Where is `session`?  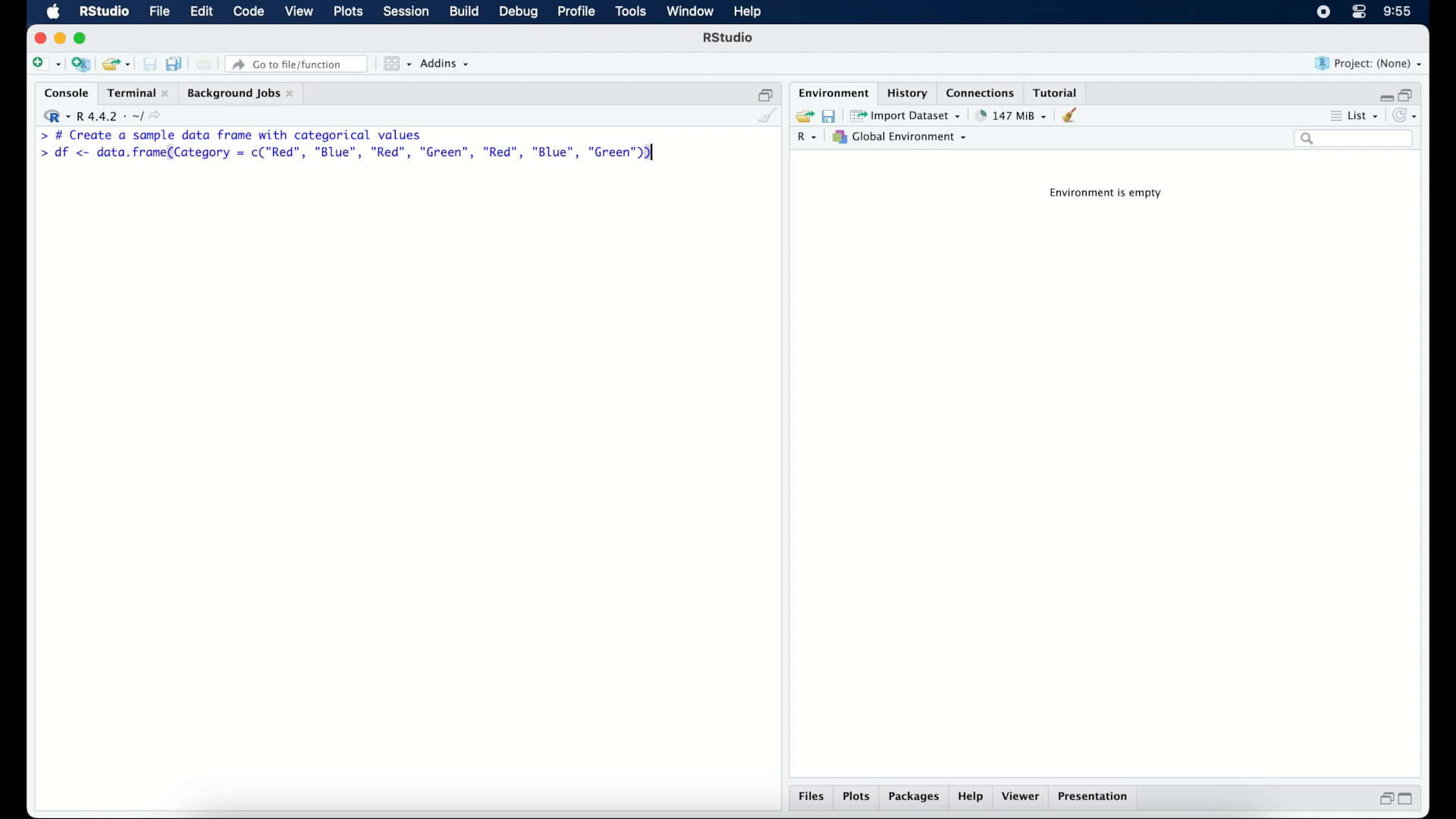 session is located at coordinates (406, 12).